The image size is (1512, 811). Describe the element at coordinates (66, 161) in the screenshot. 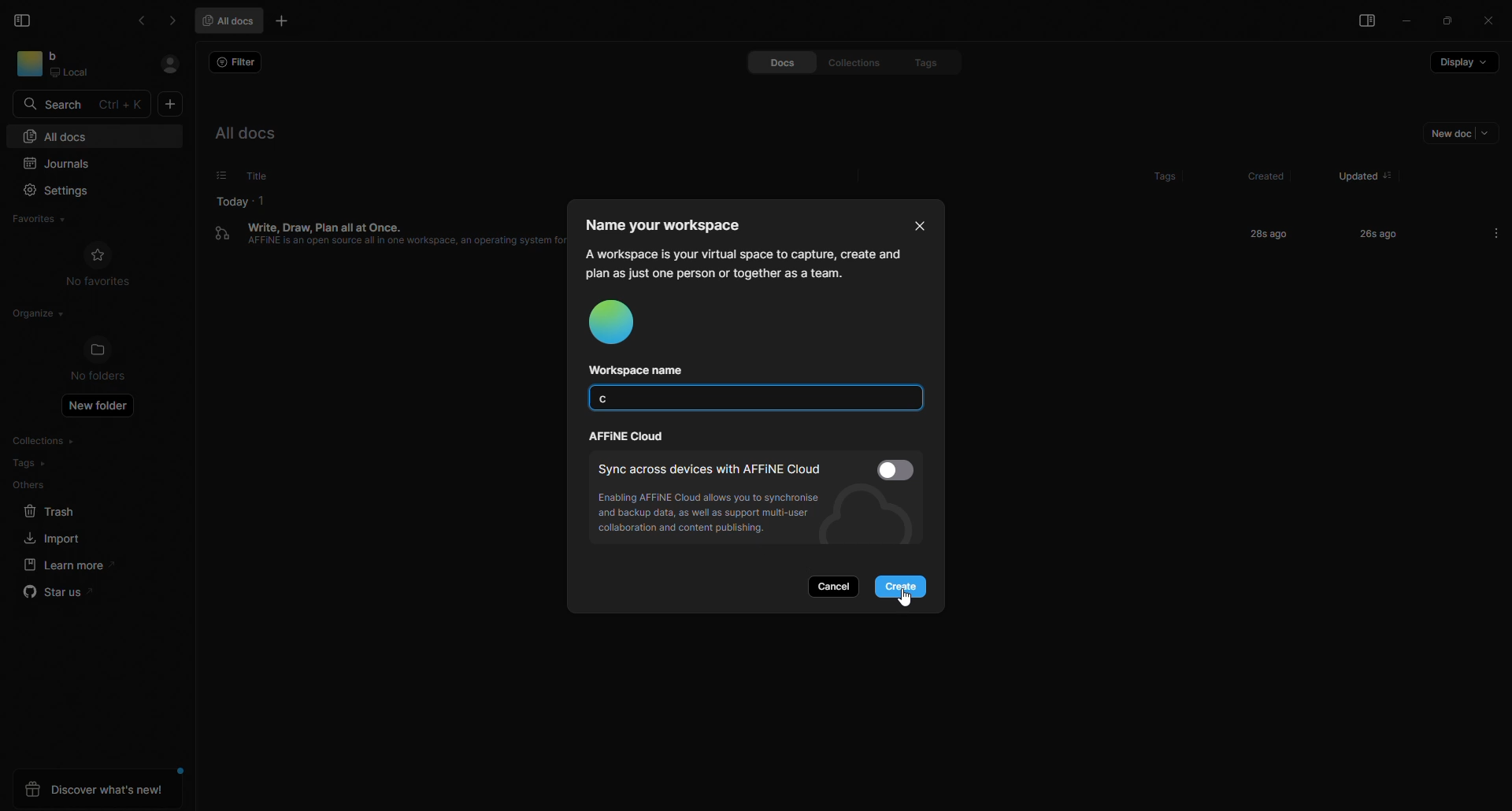

I see `journals` at that location.